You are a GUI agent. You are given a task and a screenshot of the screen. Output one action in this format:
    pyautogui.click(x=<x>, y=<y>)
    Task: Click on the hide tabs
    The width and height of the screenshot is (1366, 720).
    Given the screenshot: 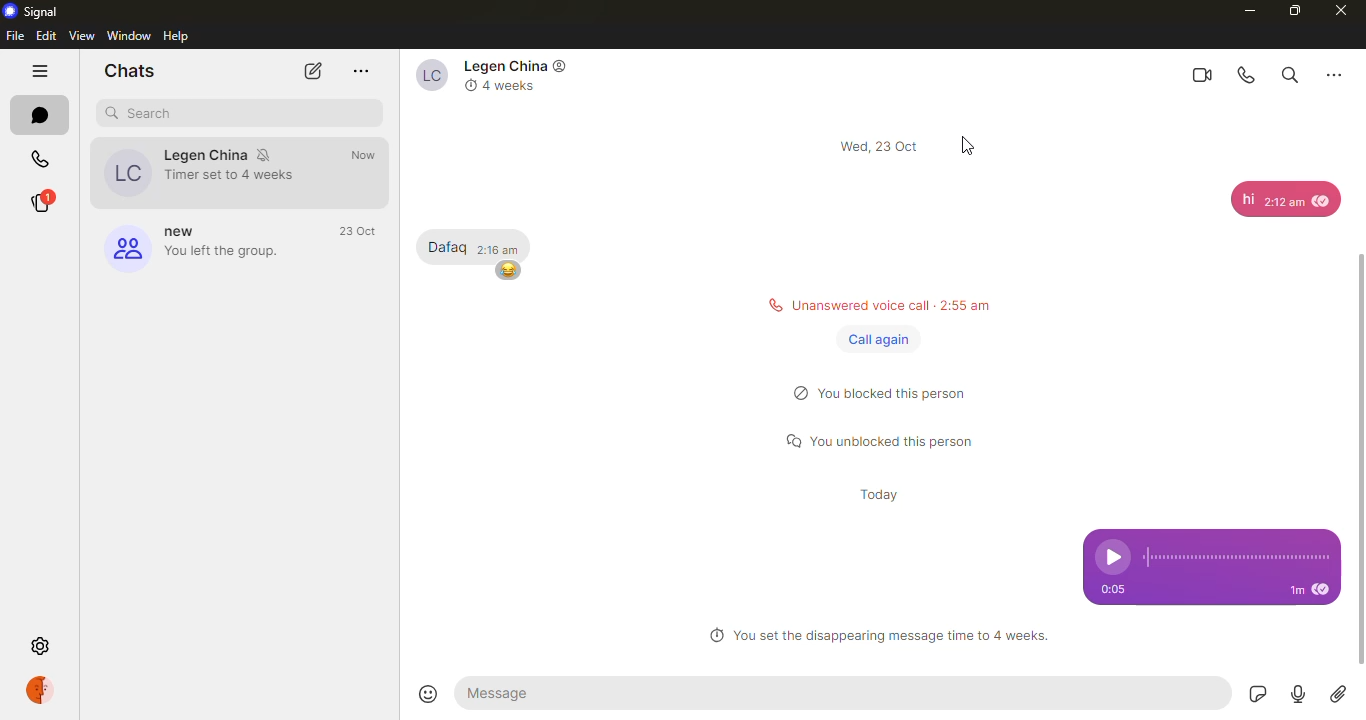 What is the action you would take?
    pyautogui.click(x=42, y=71)
    